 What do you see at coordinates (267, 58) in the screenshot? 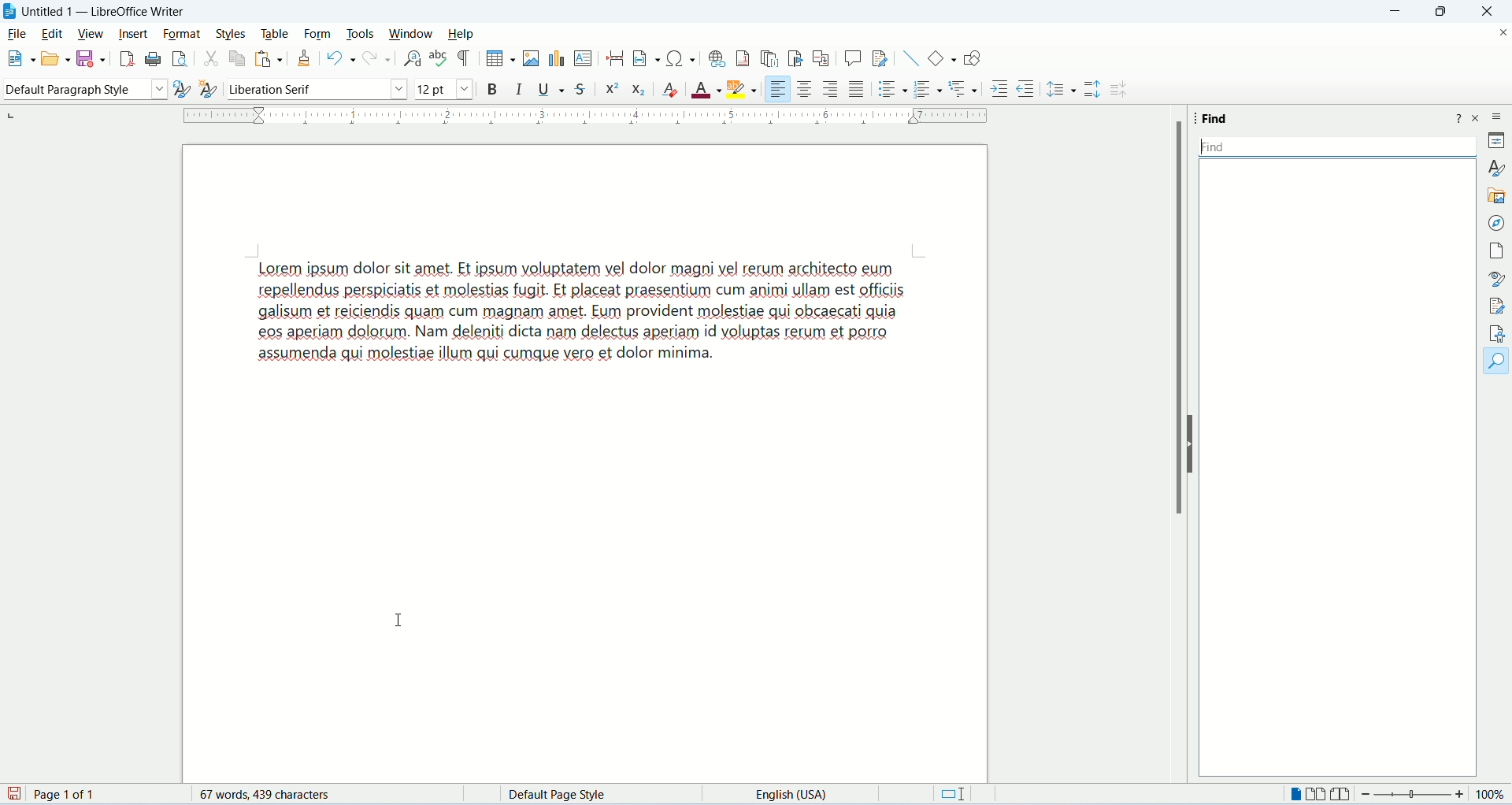
I see `paste` at bounding box center [267, 58].